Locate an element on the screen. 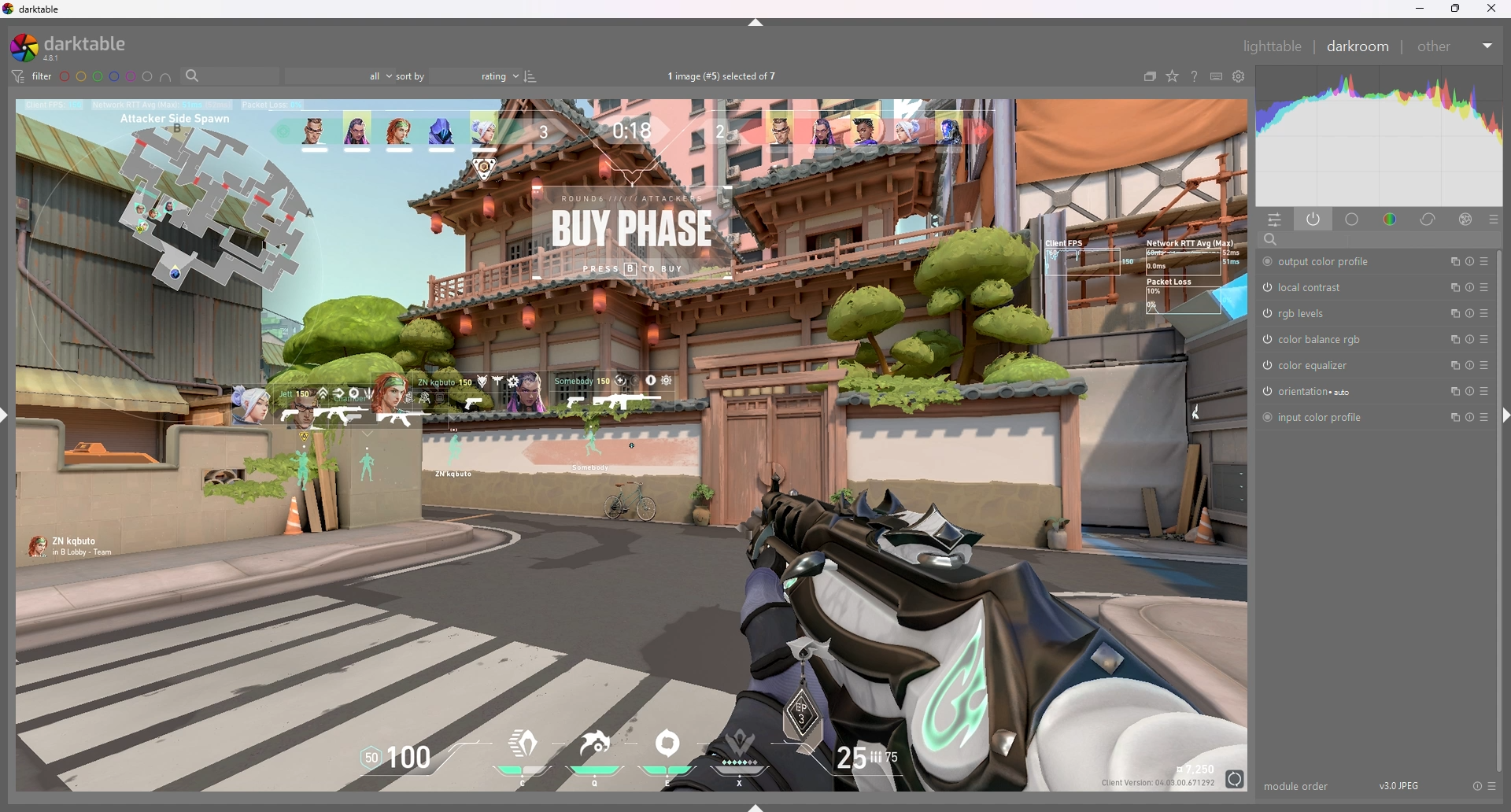  output color profile is located at coordinates (1326, 263).